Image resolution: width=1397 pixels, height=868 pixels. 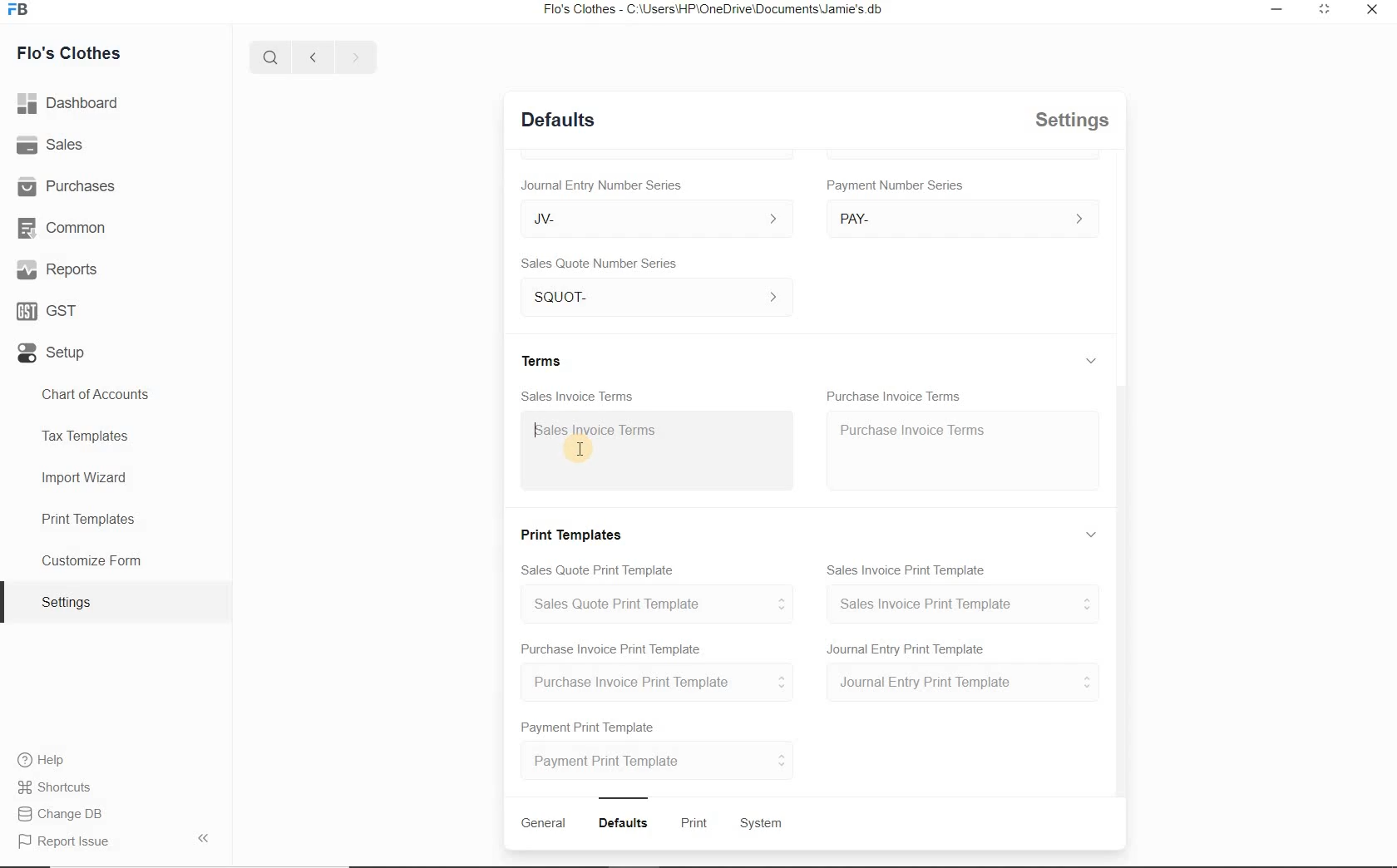 I want to click on Payment Print Template, so click(x=590, y=724).